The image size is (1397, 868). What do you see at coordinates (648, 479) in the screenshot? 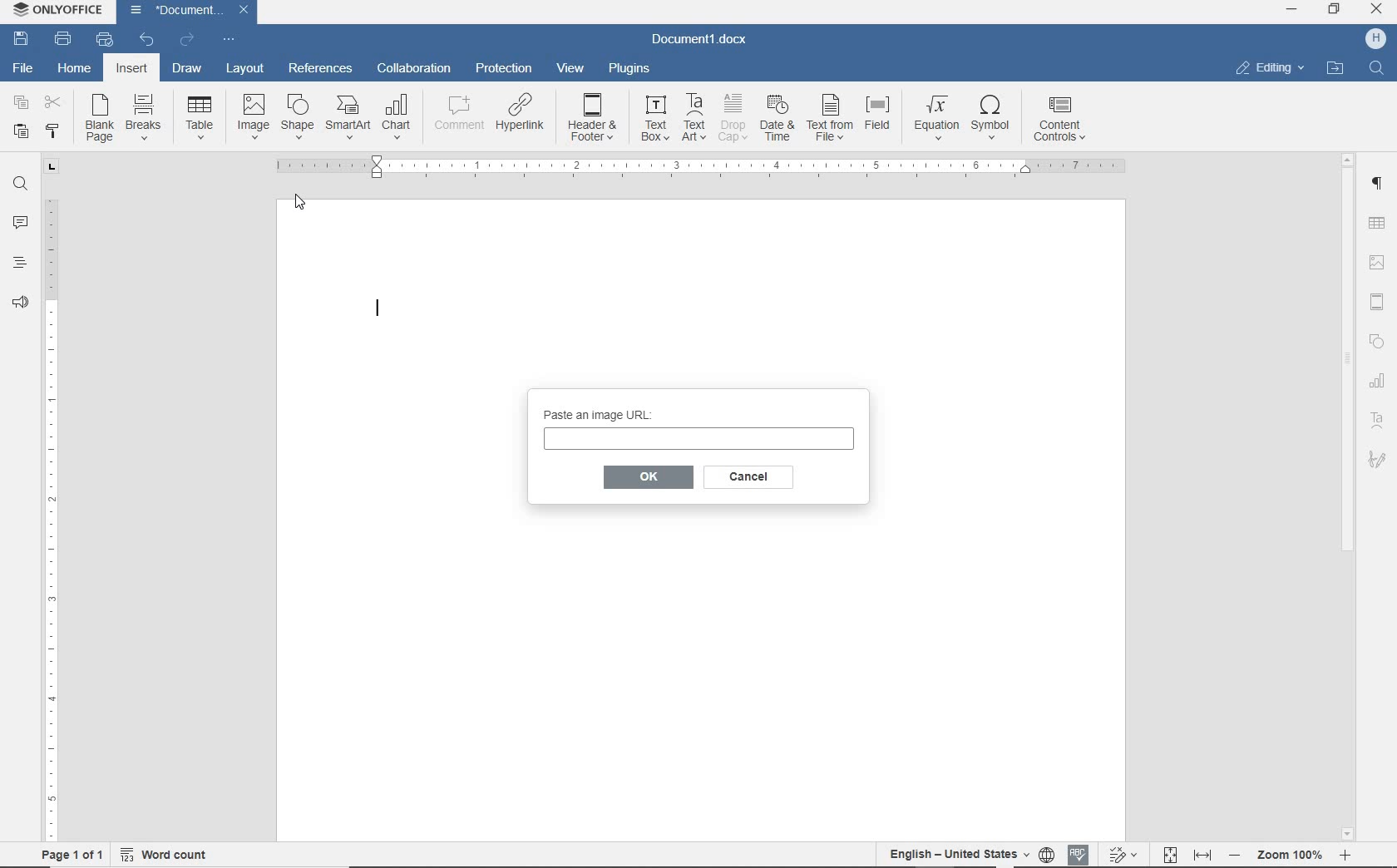
I see `OK` at bounding box center [648, 479].